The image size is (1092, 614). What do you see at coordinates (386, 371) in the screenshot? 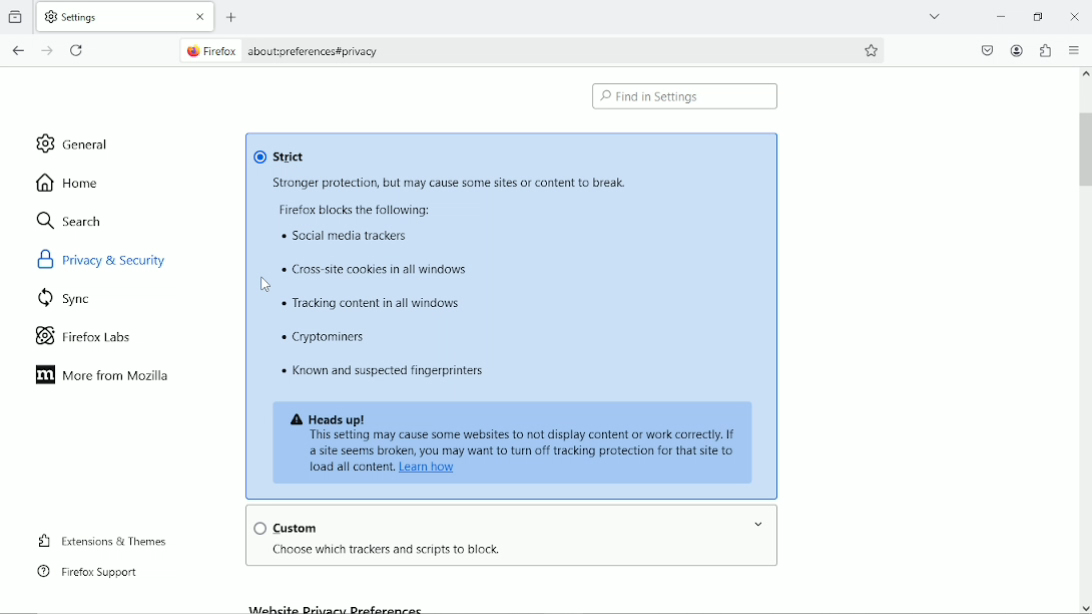
I see `text` at bounding box center [386, 371].